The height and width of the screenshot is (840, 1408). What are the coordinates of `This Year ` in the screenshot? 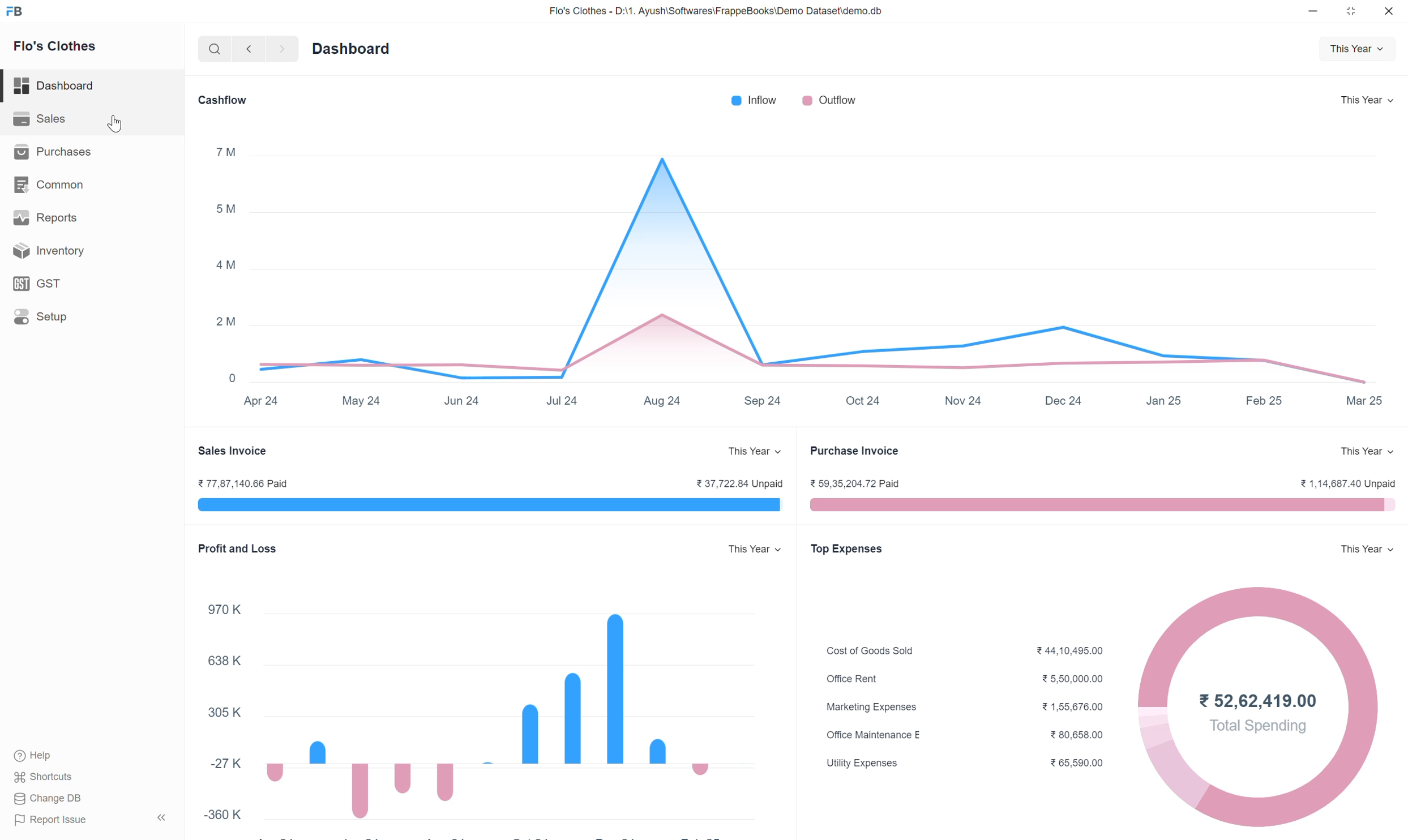 It's located at (1365, 449).